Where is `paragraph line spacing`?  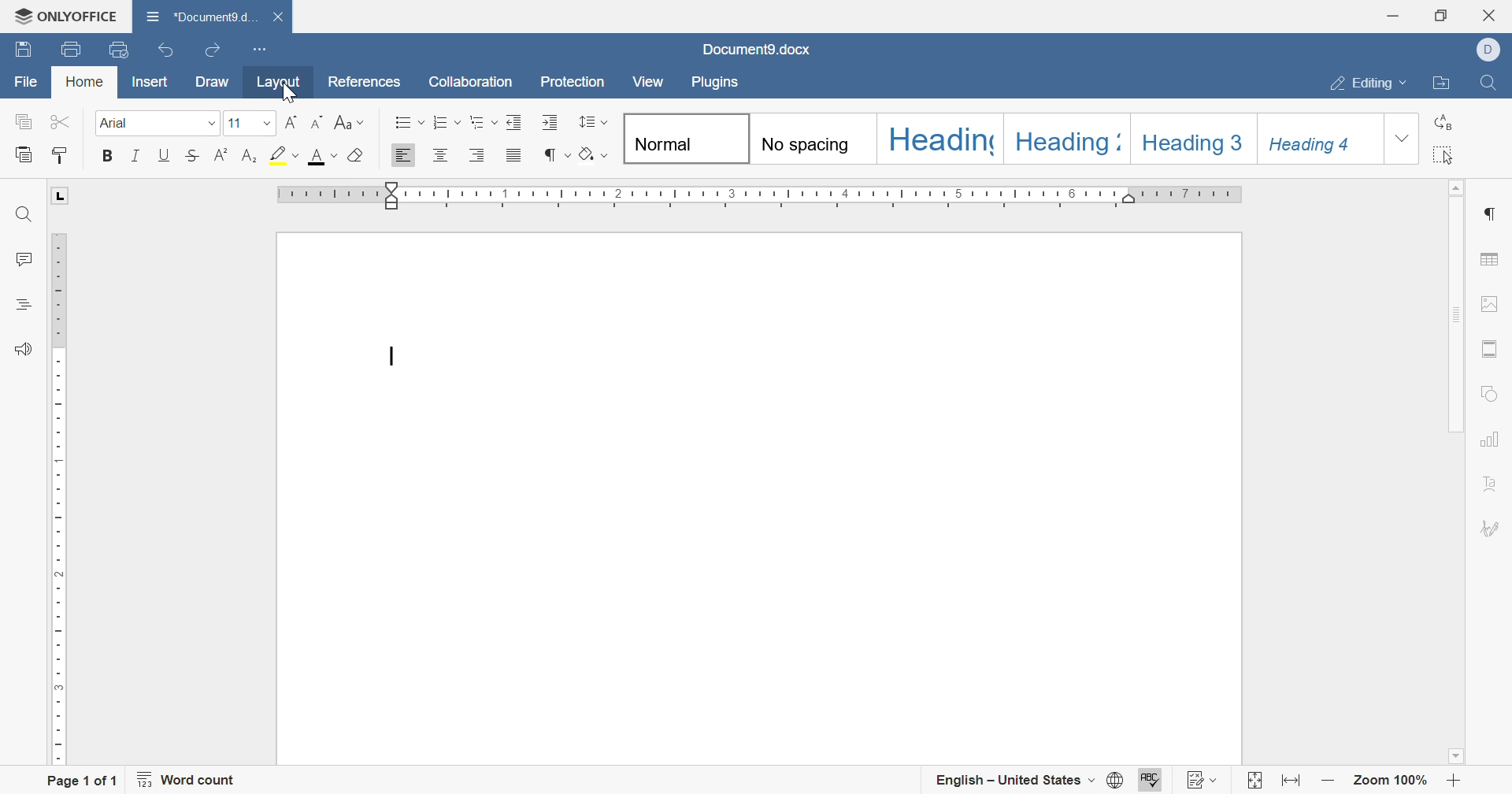 paragraph line spacing is located at coordinates (596, 121).